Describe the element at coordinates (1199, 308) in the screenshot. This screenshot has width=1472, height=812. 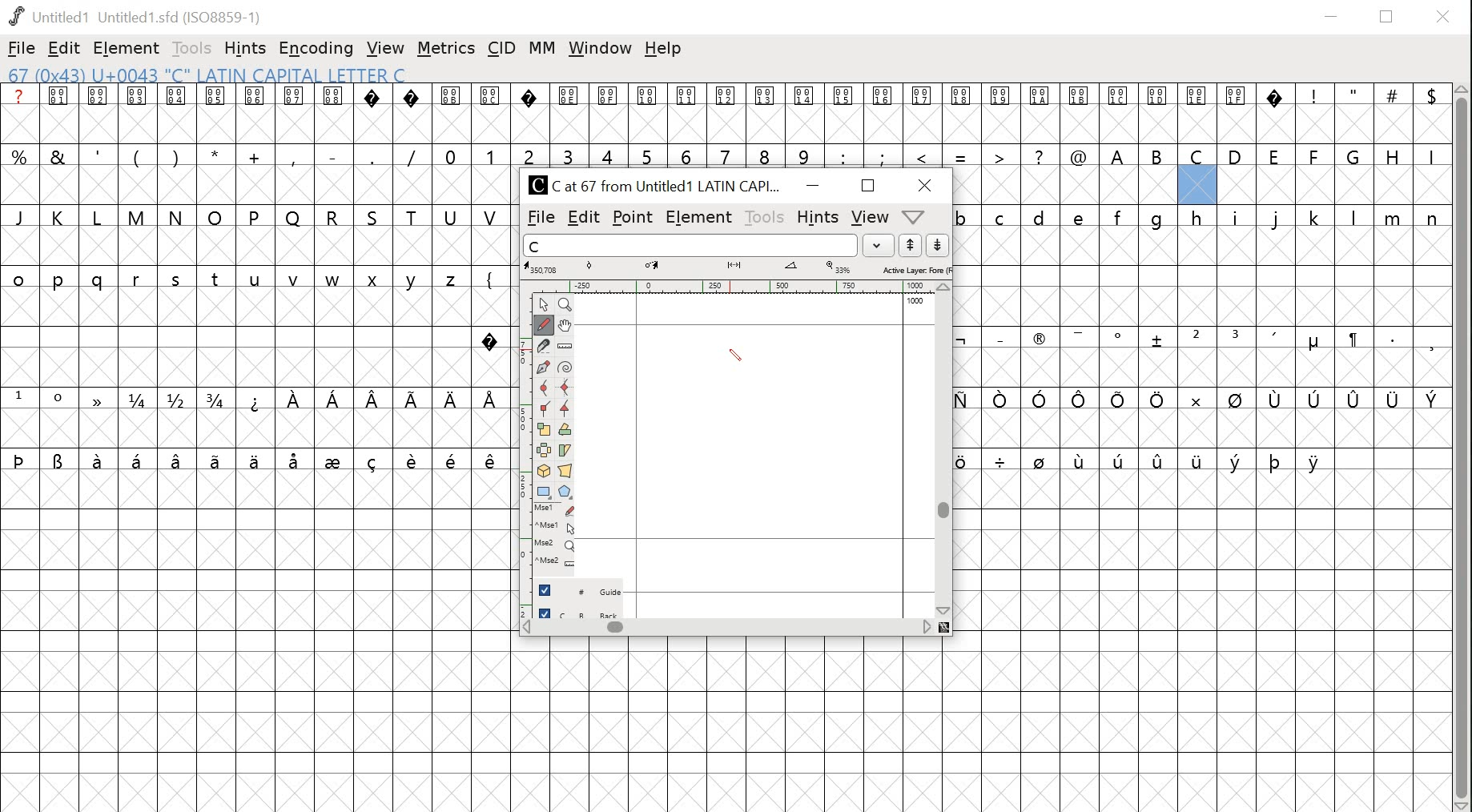
I see `glyphs` at that location.